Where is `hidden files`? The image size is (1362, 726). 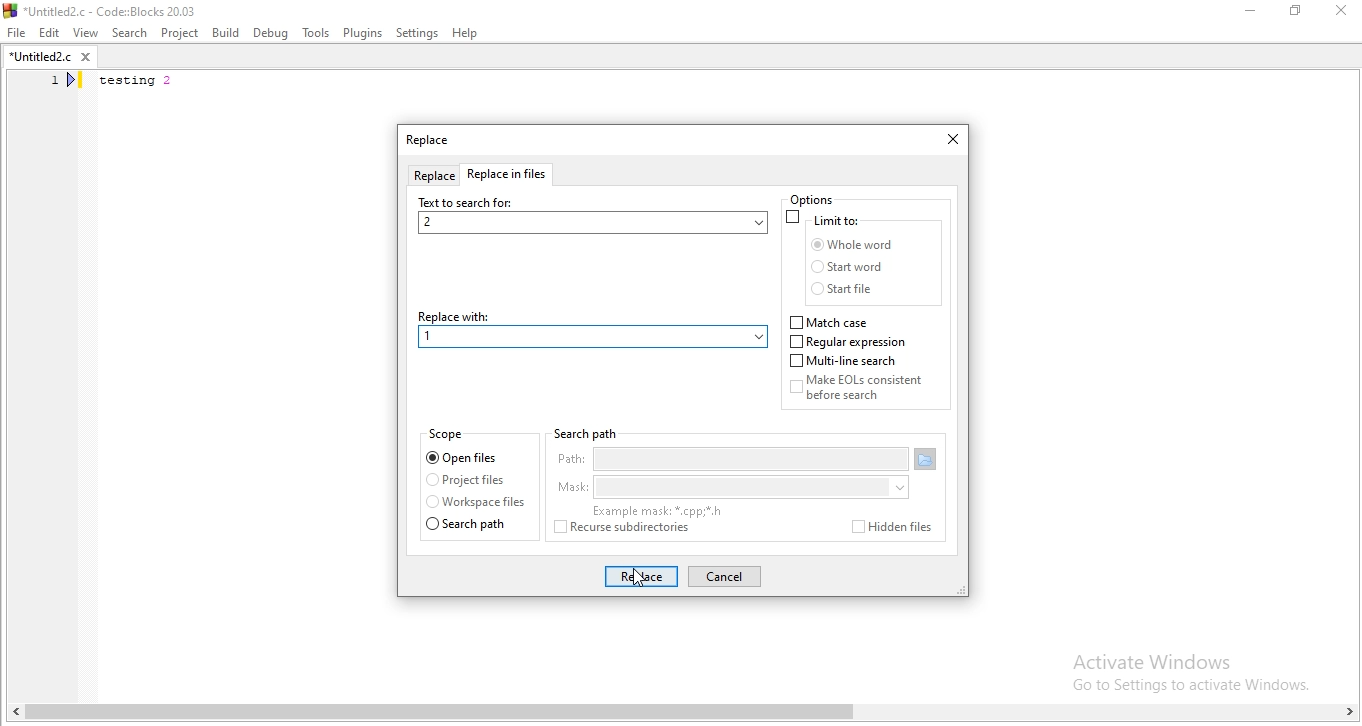
hidden files is located at coordinates (887, 527).